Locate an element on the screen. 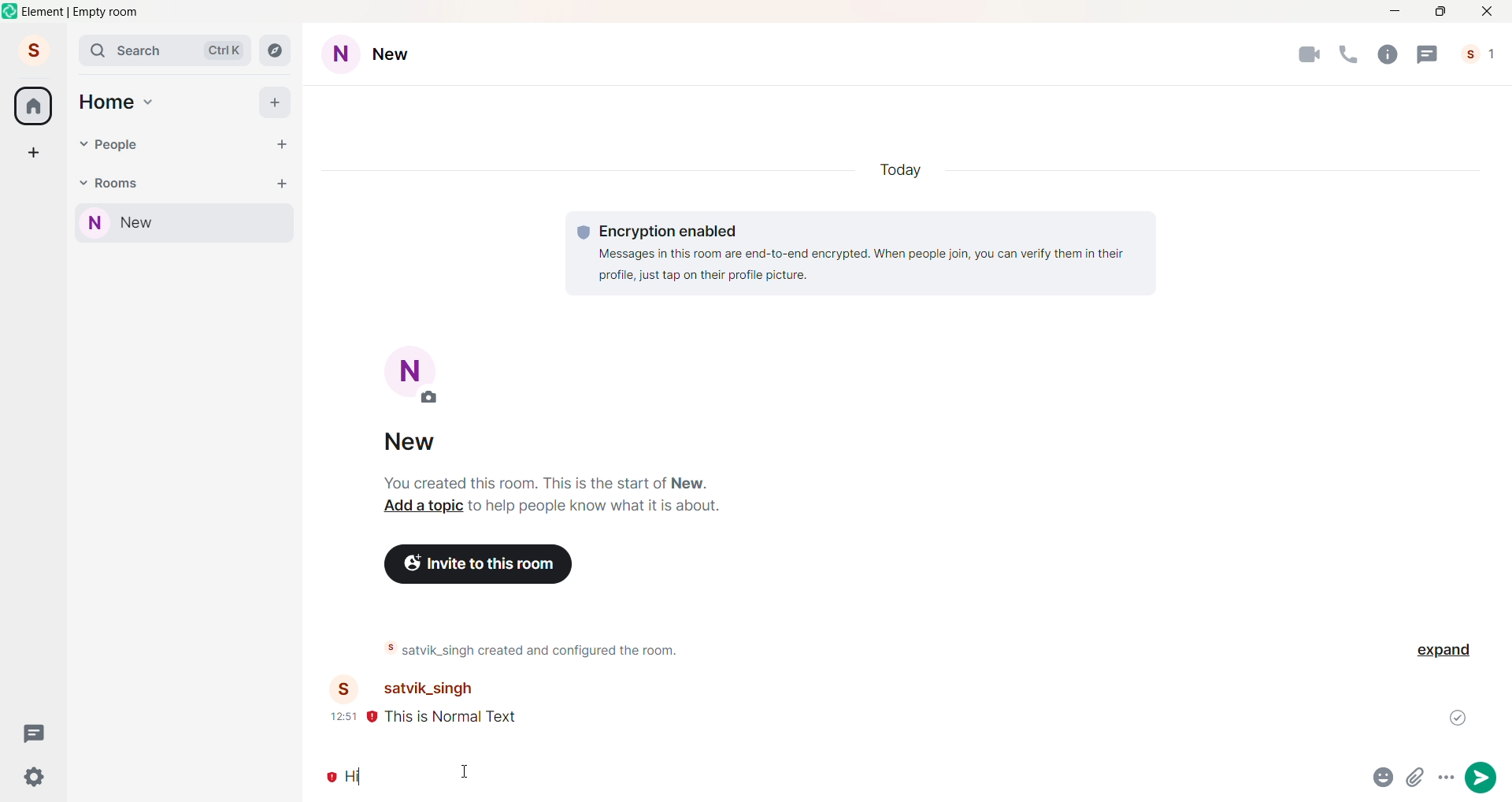 Image resolution: width=1512 pixels, height=802 pixels. Room Drop down is located at coordinates (83, 184).